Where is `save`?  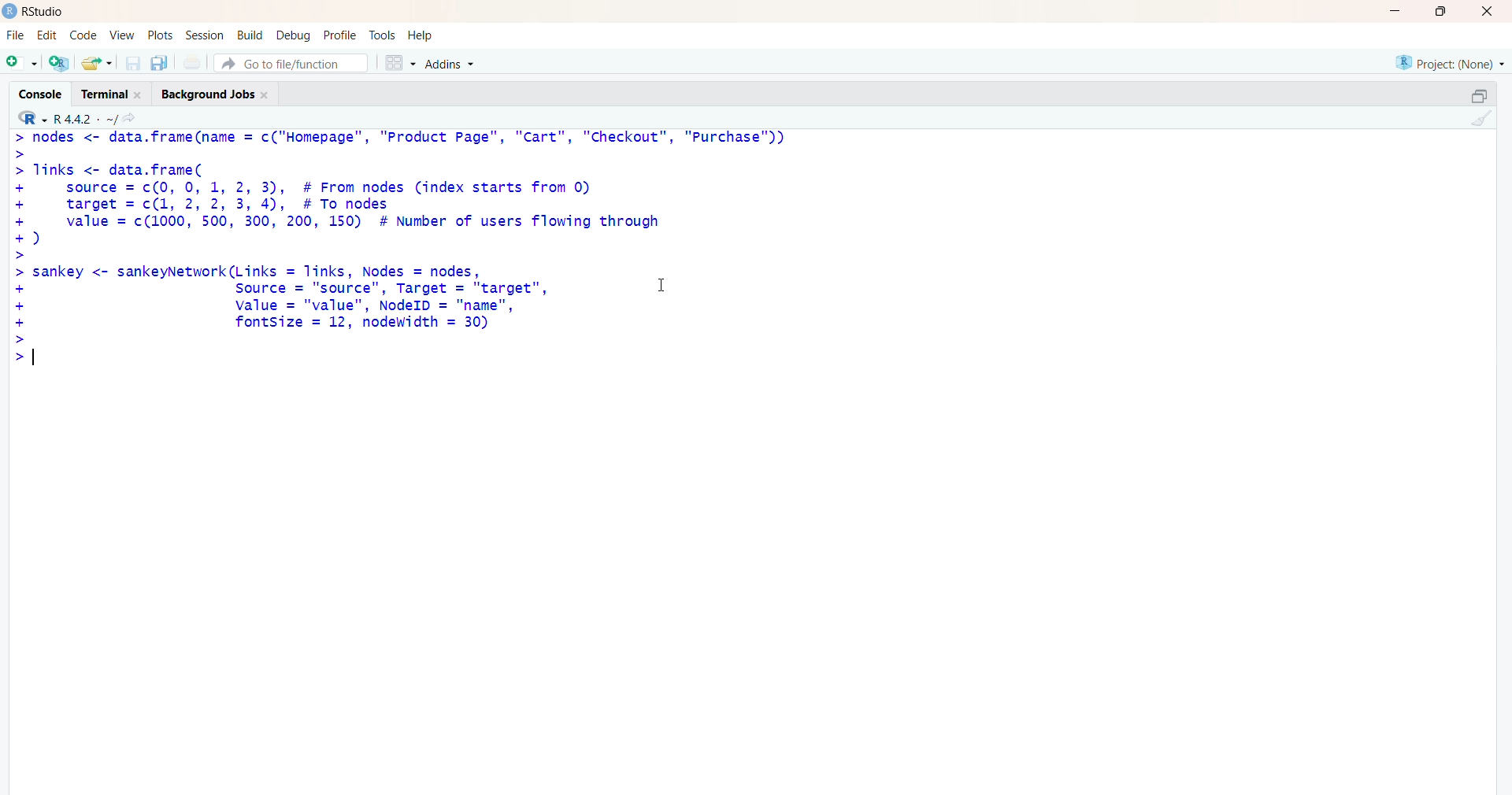
save is located at coordinates (131, 64).